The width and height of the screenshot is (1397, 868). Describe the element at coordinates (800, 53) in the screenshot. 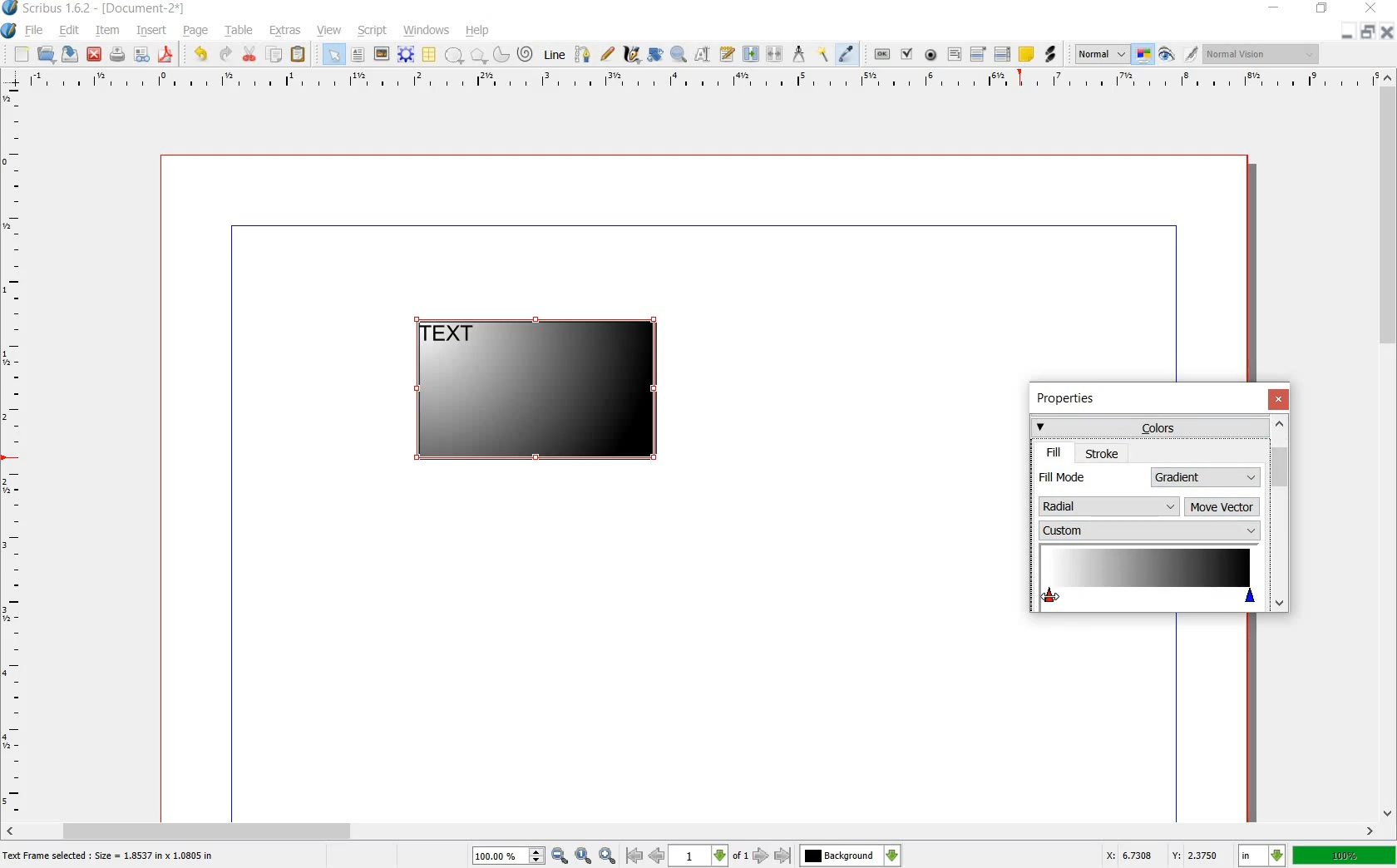

I see `measurement` at that location.